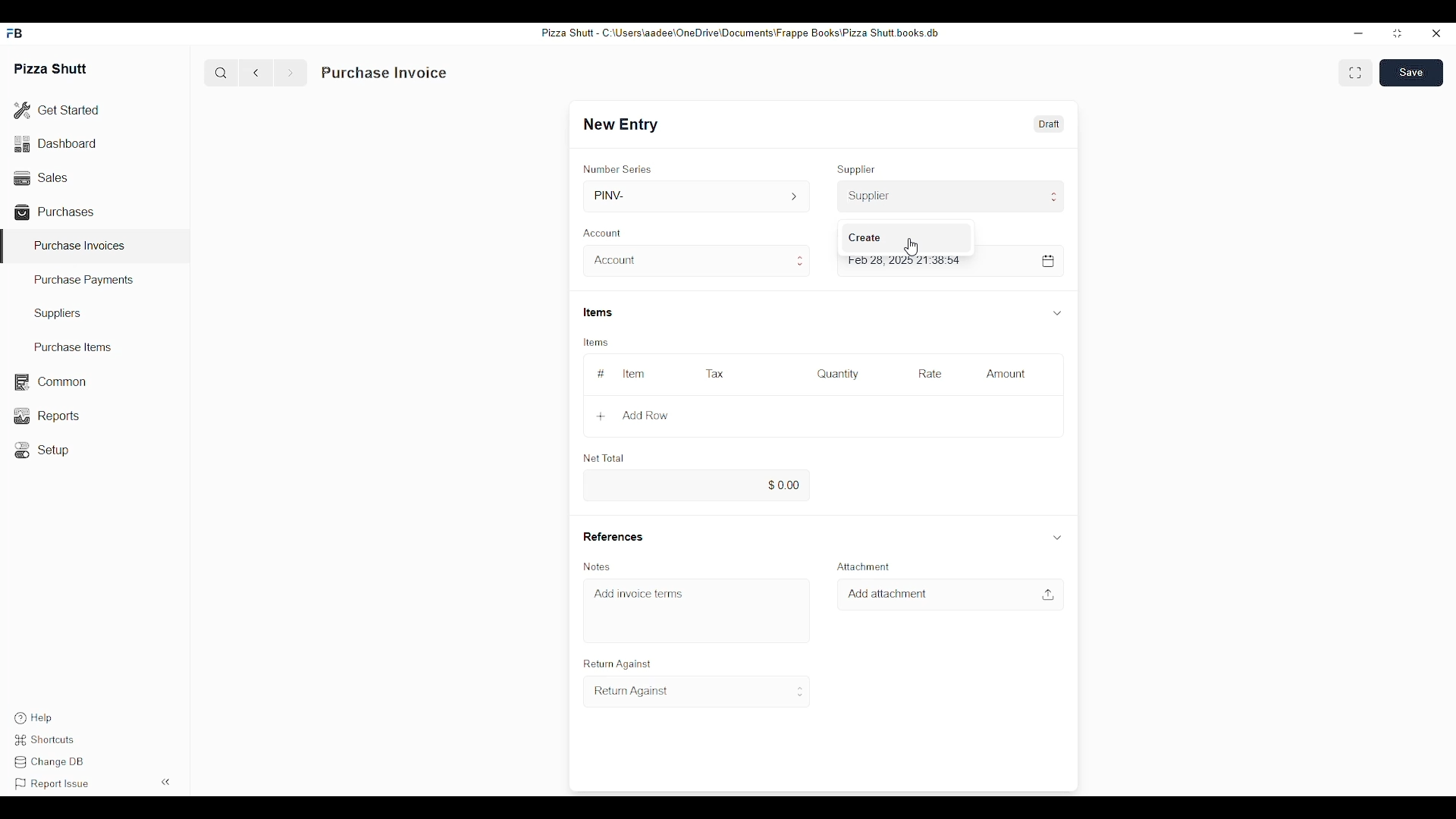 Image resolution: width=1456 pixels, height=819 pixels. Describe the element at coordinates (697, 485) in the screenshot. I see `0.00` at that location.